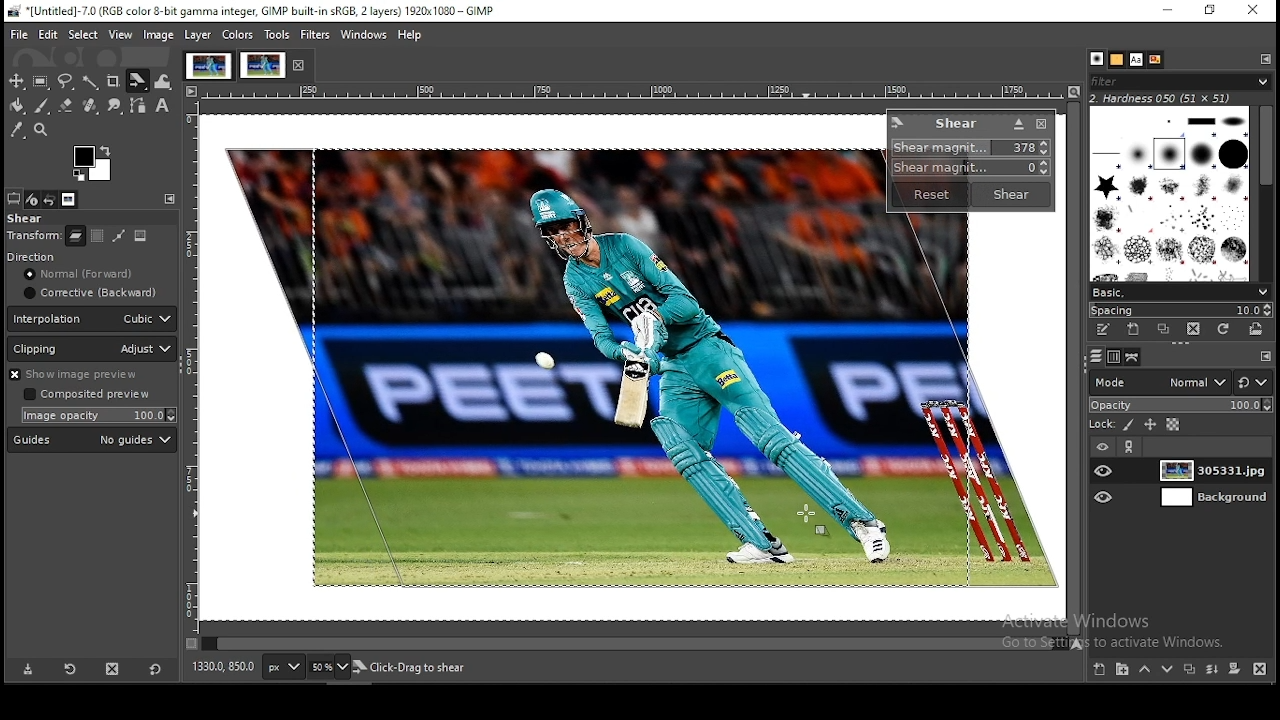 This screenshot has width=1280, height=720. What do you see at coordinates (42, 132) in the screenshot?
I see `zoom tool` at bounding box center [42, 132].